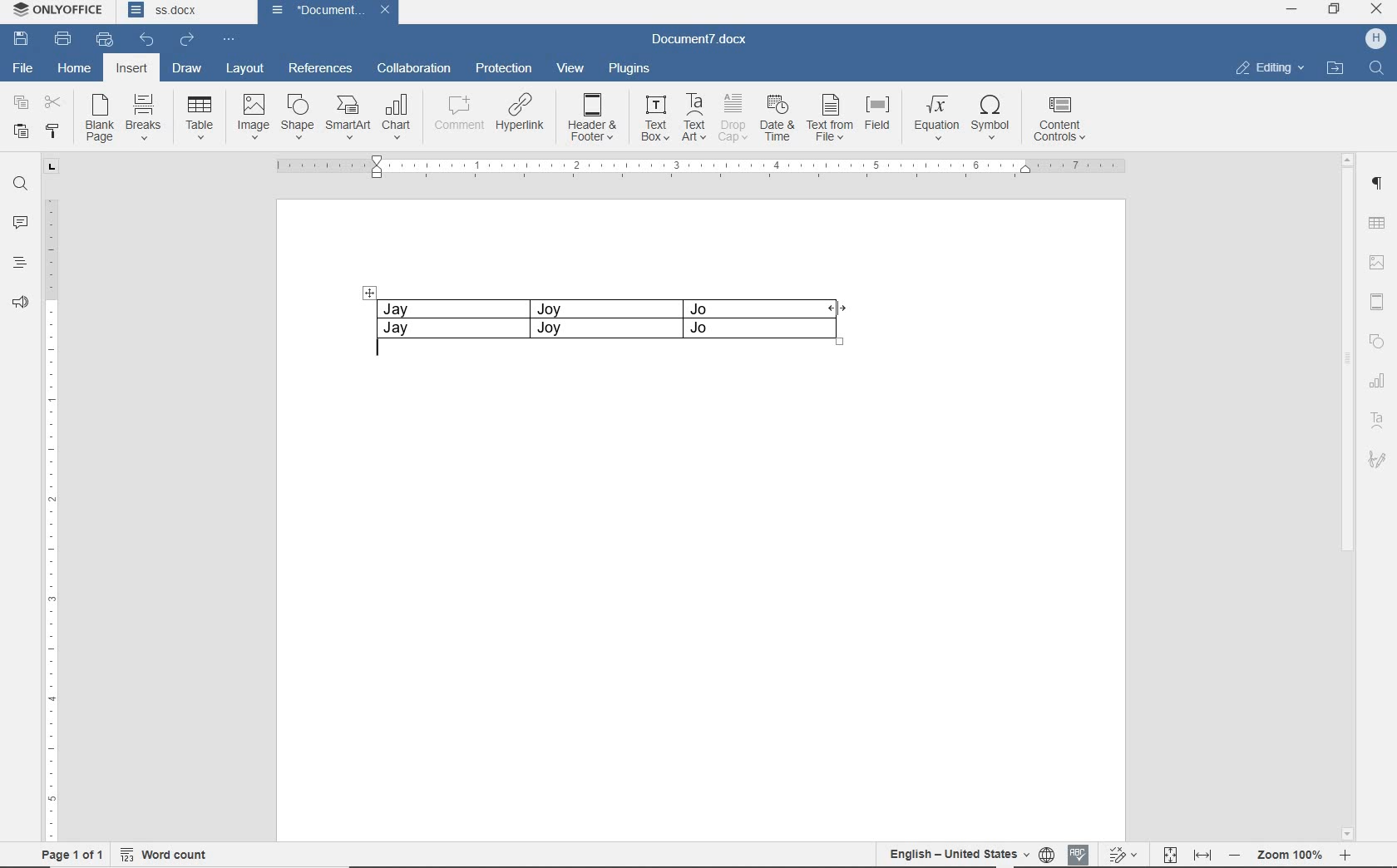 This screenshot has width=1397, height=868. Describe the element at coordinates (1080, 852) in the screenshot. I see `SPELL CHECKING` at that location.